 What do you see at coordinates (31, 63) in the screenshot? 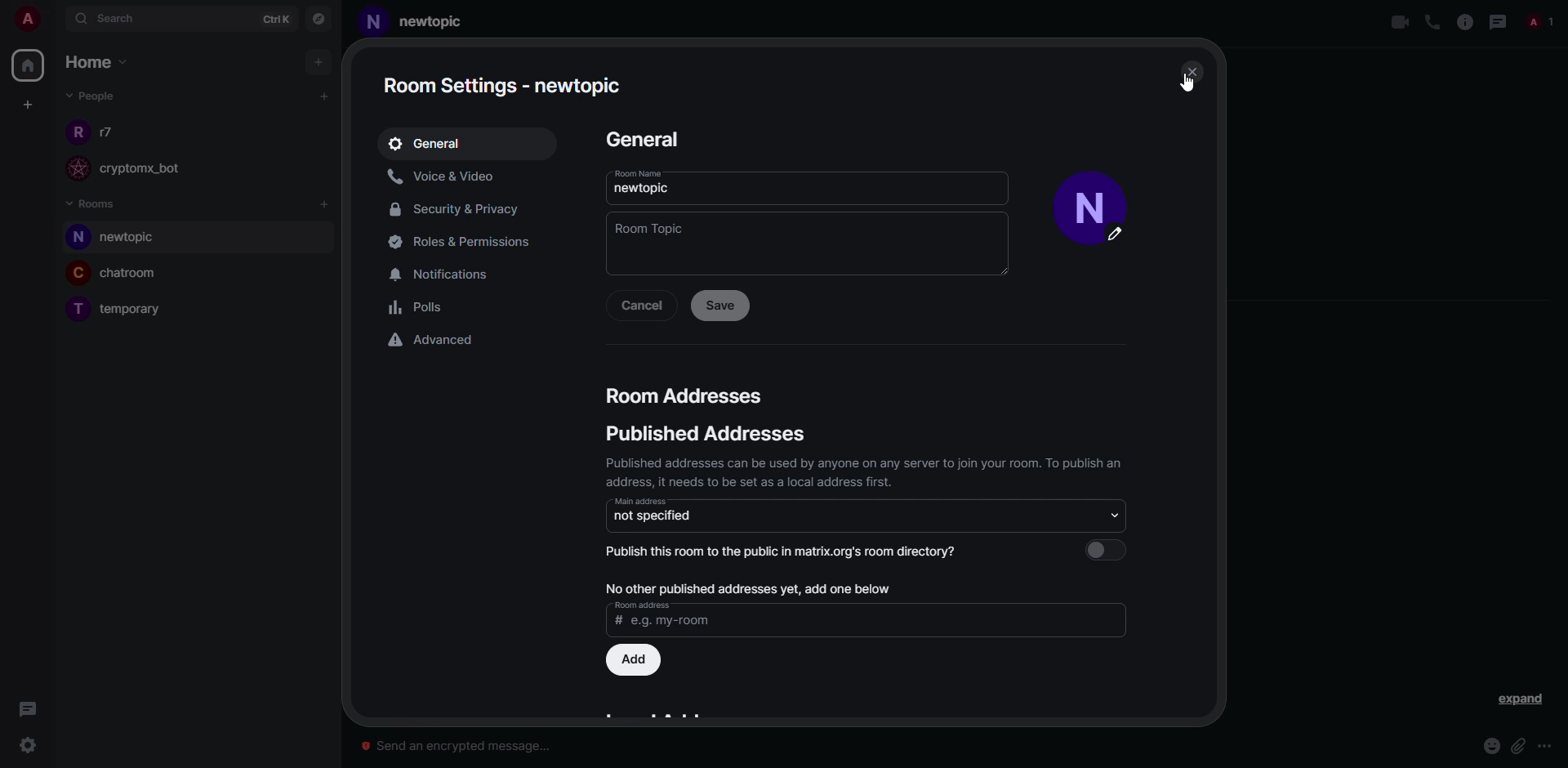
I see `home` at bounding box center [31, 63].